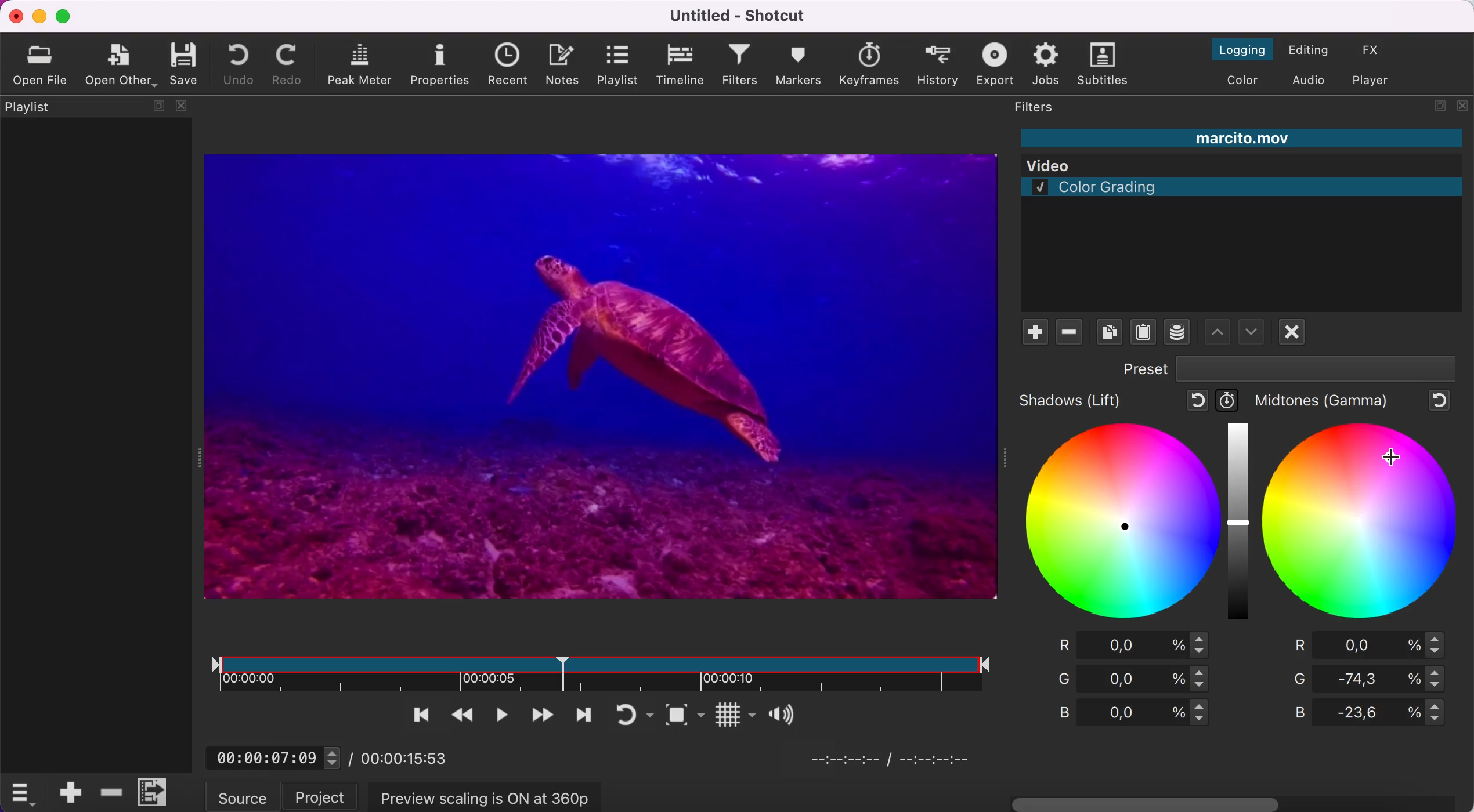  Describe the element at coordinates (737, 66) in the screenshot. I see `filters` at that location.